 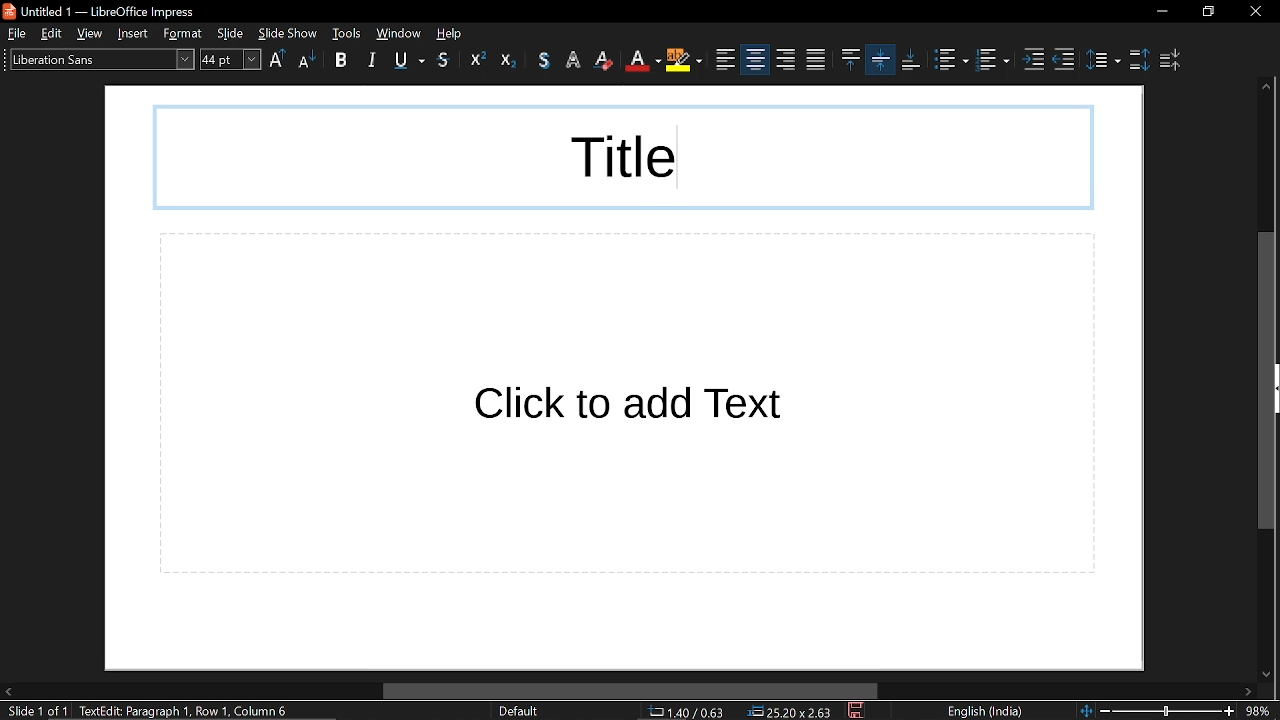 What do you see at coordinates (34, 712) in the screenshot?
I see `slide 1 of 1` at bounding box center [34, 712].